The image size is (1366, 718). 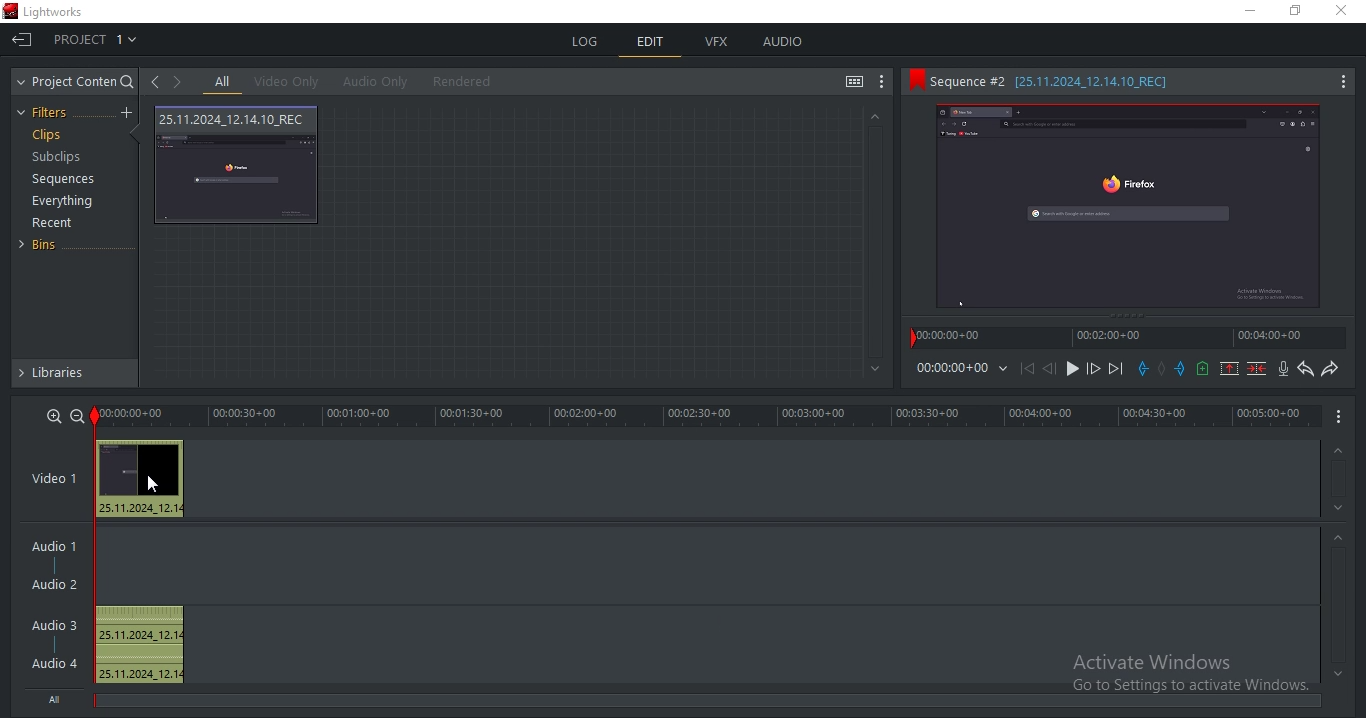 I want to click on , so click(x=1041, y=370).